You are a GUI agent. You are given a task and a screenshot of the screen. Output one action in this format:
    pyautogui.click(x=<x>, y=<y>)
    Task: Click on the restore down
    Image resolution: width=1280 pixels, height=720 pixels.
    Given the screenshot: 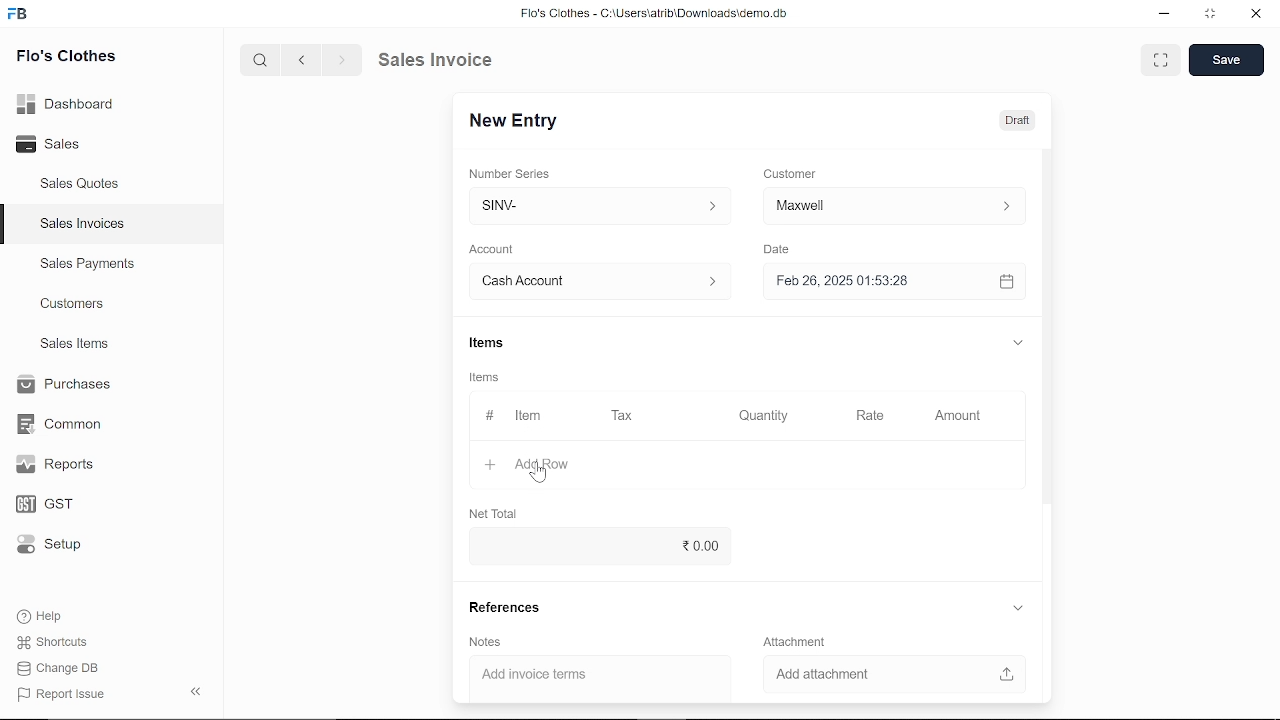 What is the action you would take?
    pyautogui.click(x=1212, y=15)
    